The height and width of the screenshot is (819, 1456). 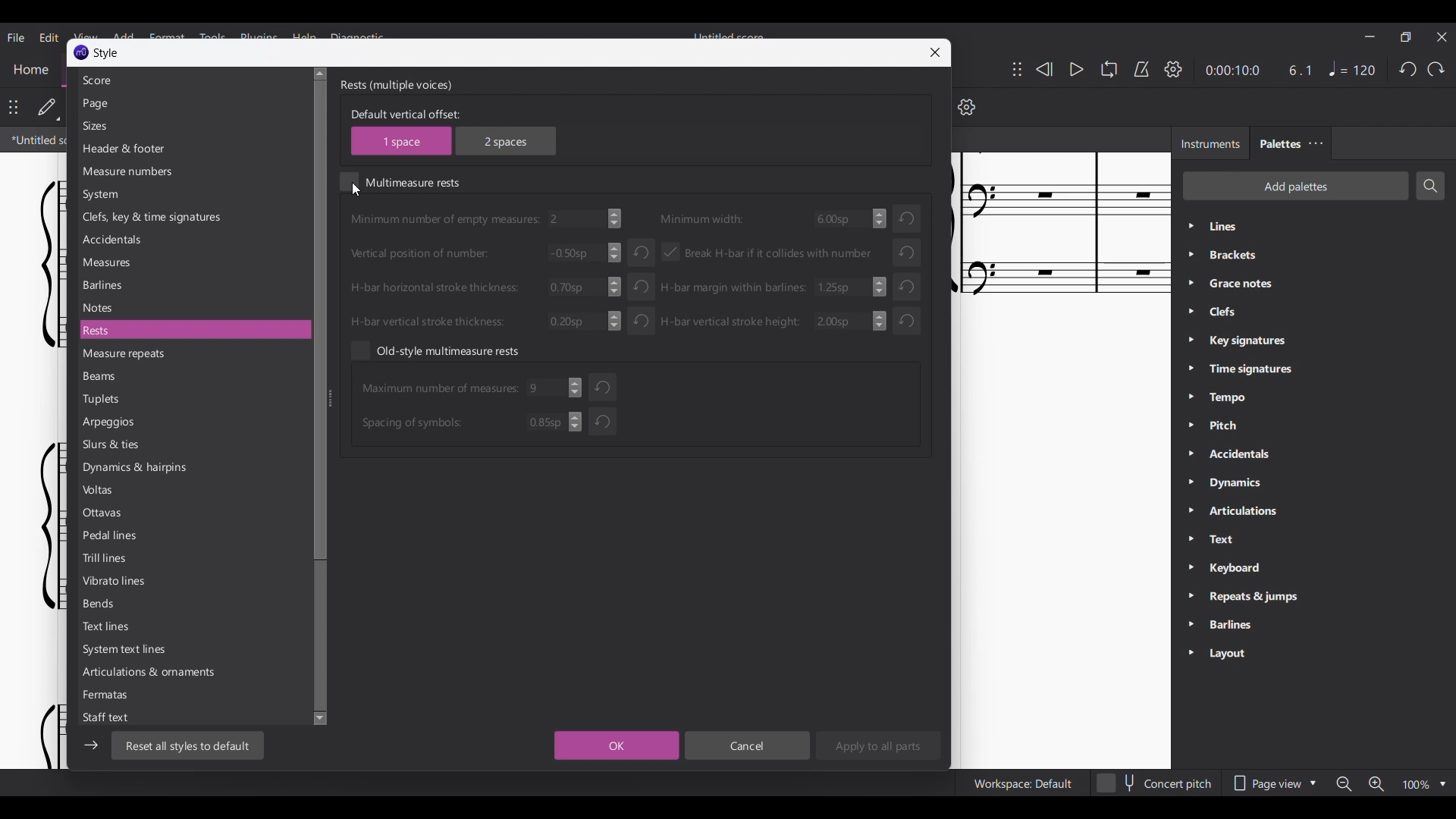 What do you see at coordinates (49, 37) in the screenshot?
I see `Edit menu` at bounding box center [49, 37].